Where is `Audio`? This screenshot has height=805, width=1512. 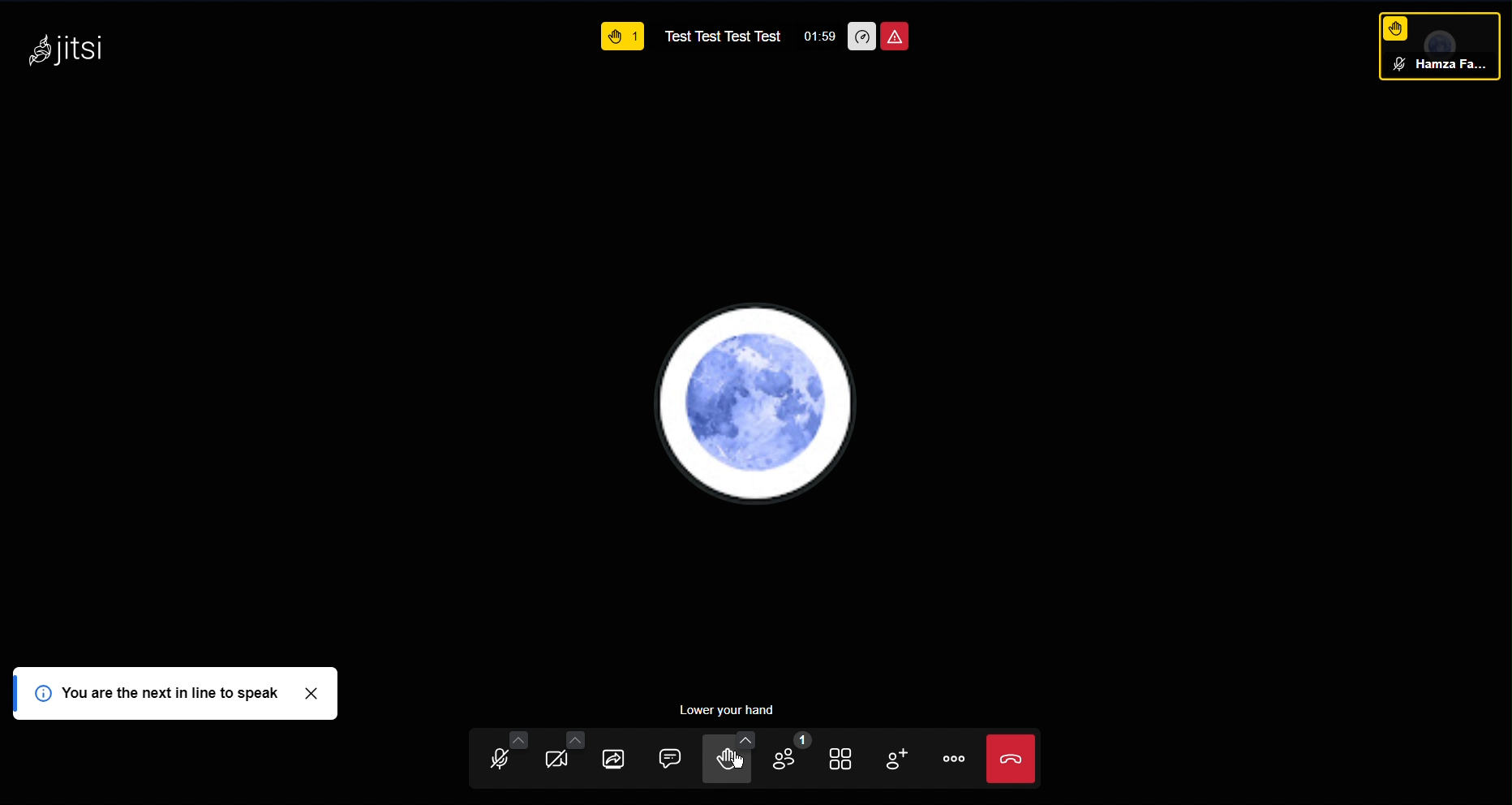 Audio is located at coordinates (498, 757).